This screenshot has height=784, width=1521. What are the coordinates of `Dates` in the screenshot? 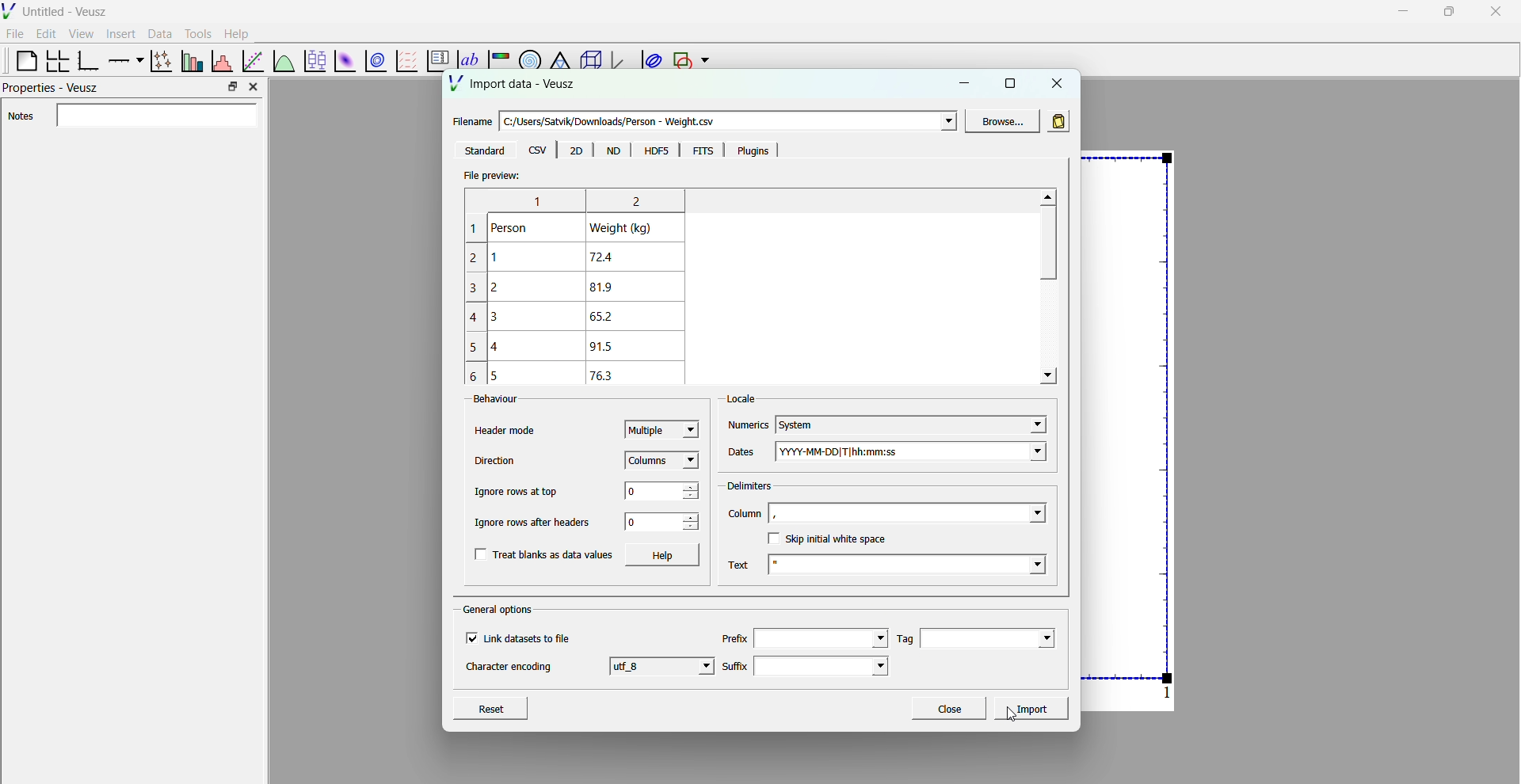 It's located at (743, 447).